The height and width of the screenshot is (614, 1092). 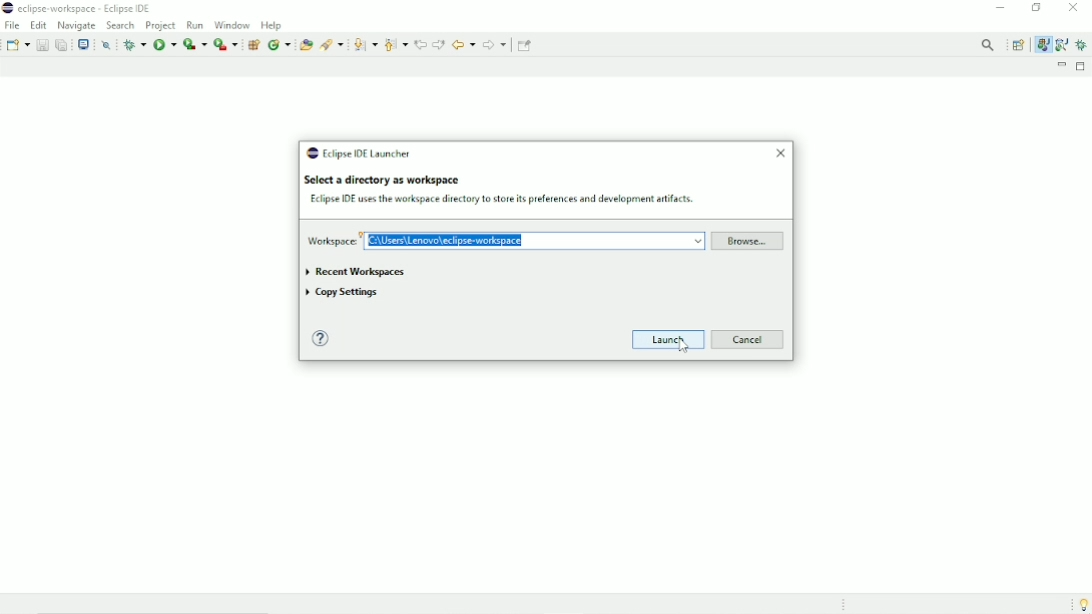 What do you see at coordinates (439, 44) in the screenshot?
I see `Next edit location` at bounding box center [439, 44].